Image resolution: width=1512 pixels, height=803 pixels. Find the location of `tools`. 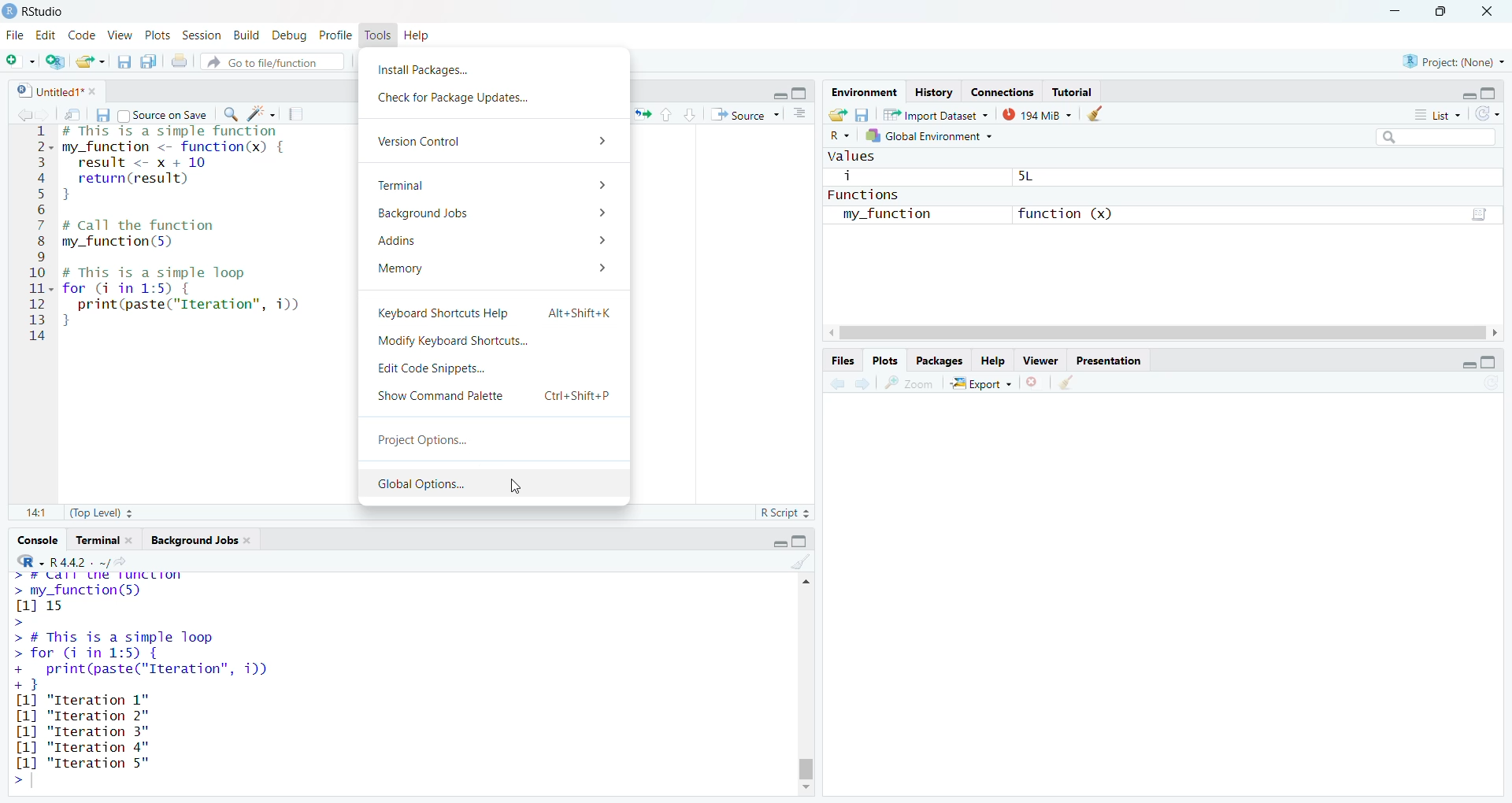

tools is located at coordinates (380, 35).